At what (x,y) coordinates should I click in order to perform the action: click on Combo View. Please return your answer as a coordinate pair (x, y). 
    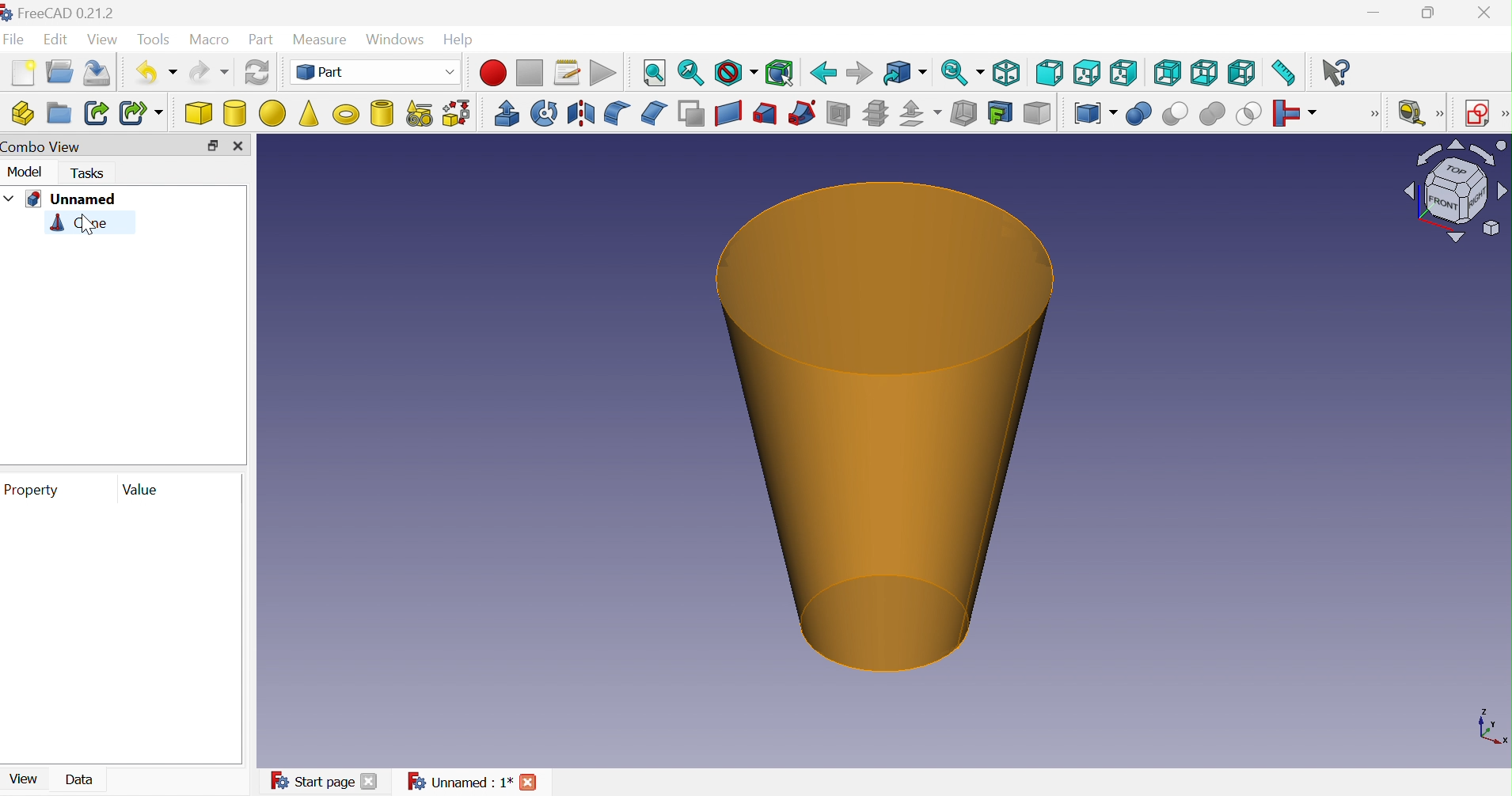
    Looking at the image, I should click on (46, 148).